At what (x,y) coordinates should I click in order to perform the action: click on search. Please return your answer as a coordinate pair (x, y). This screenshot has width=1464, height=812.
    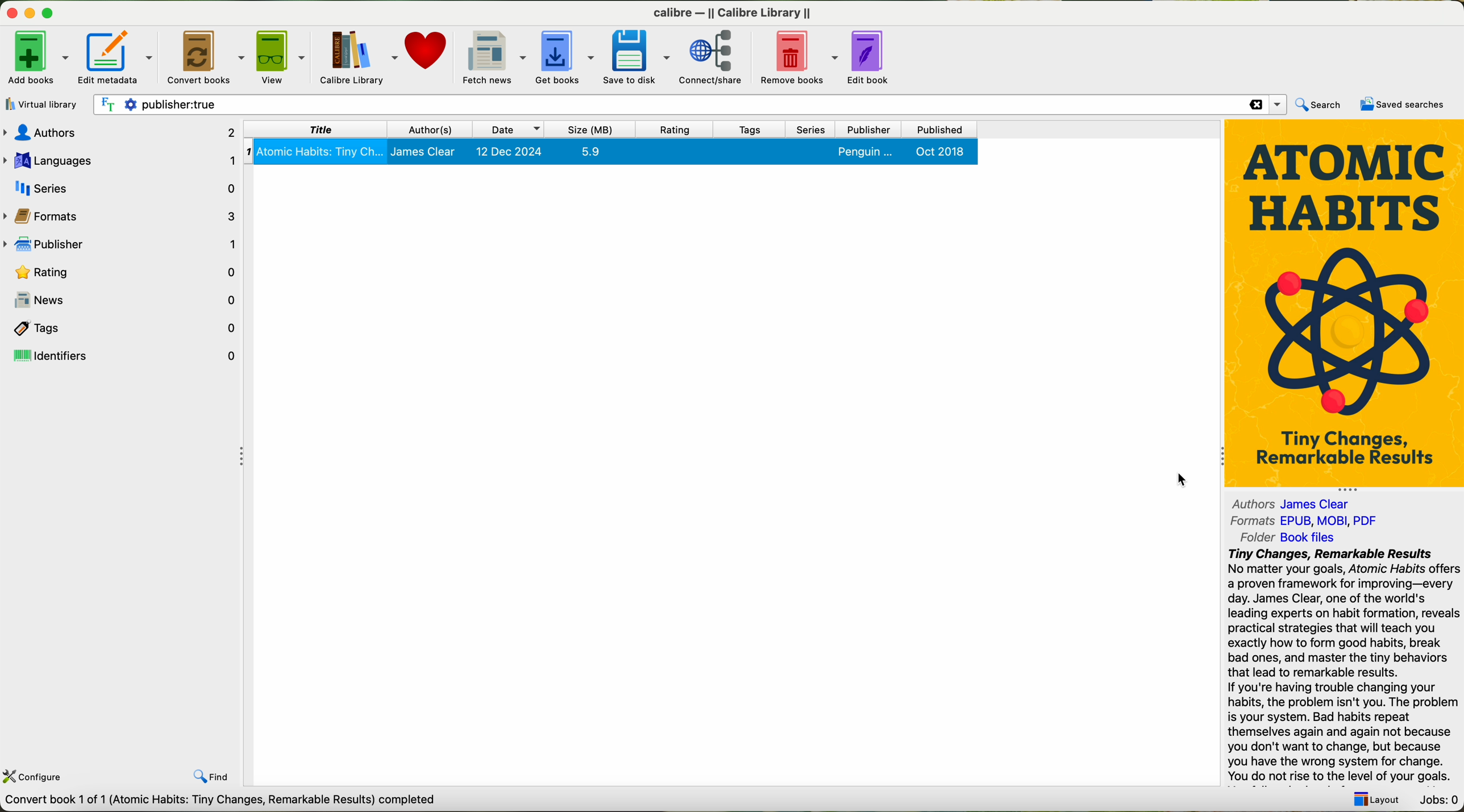
    Looking at the image, I should click on (1320, 104).